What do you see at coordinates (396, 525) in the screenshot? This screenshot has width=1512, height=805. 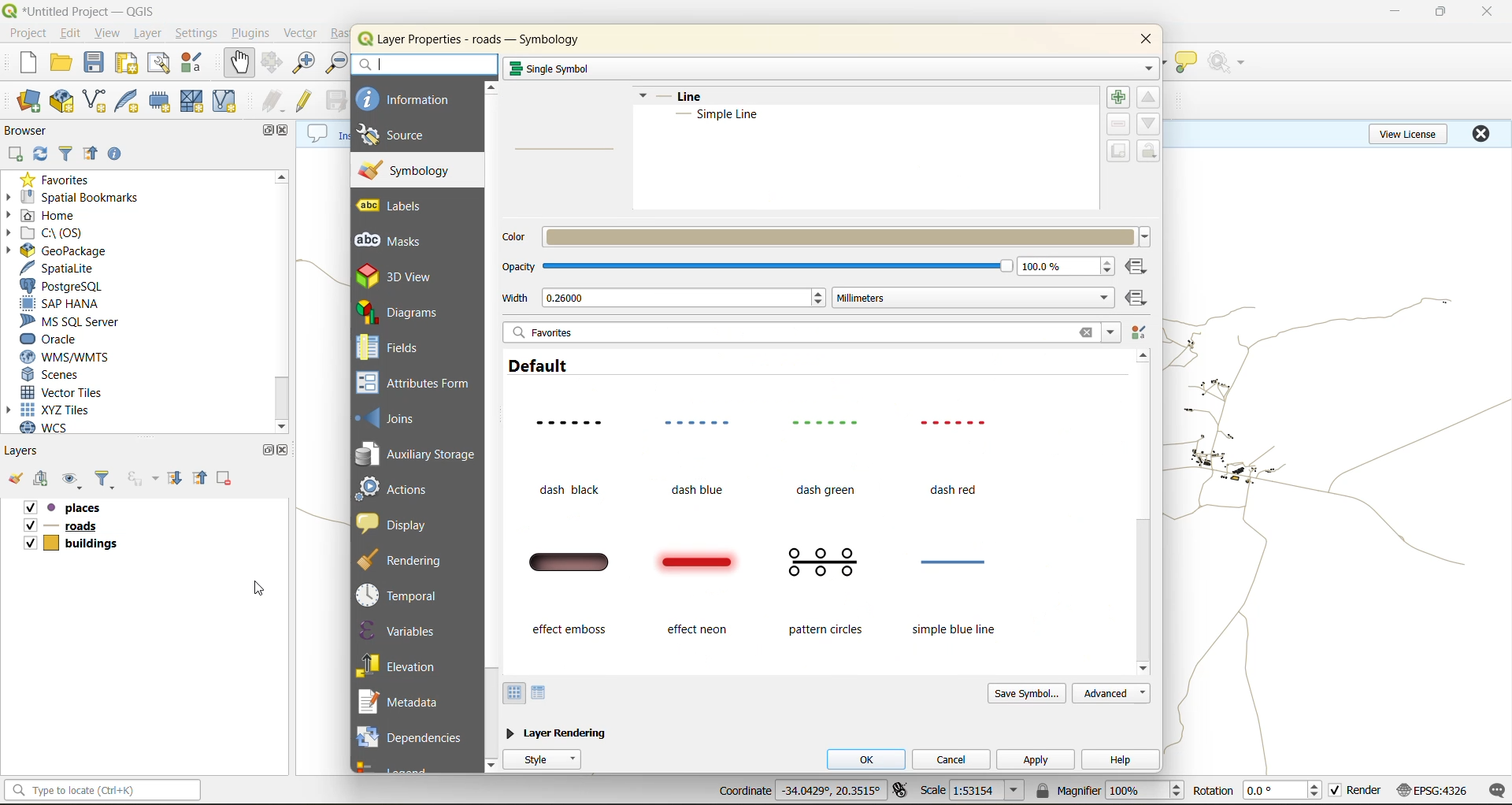 I see `display` at bounding box center [396, 525].